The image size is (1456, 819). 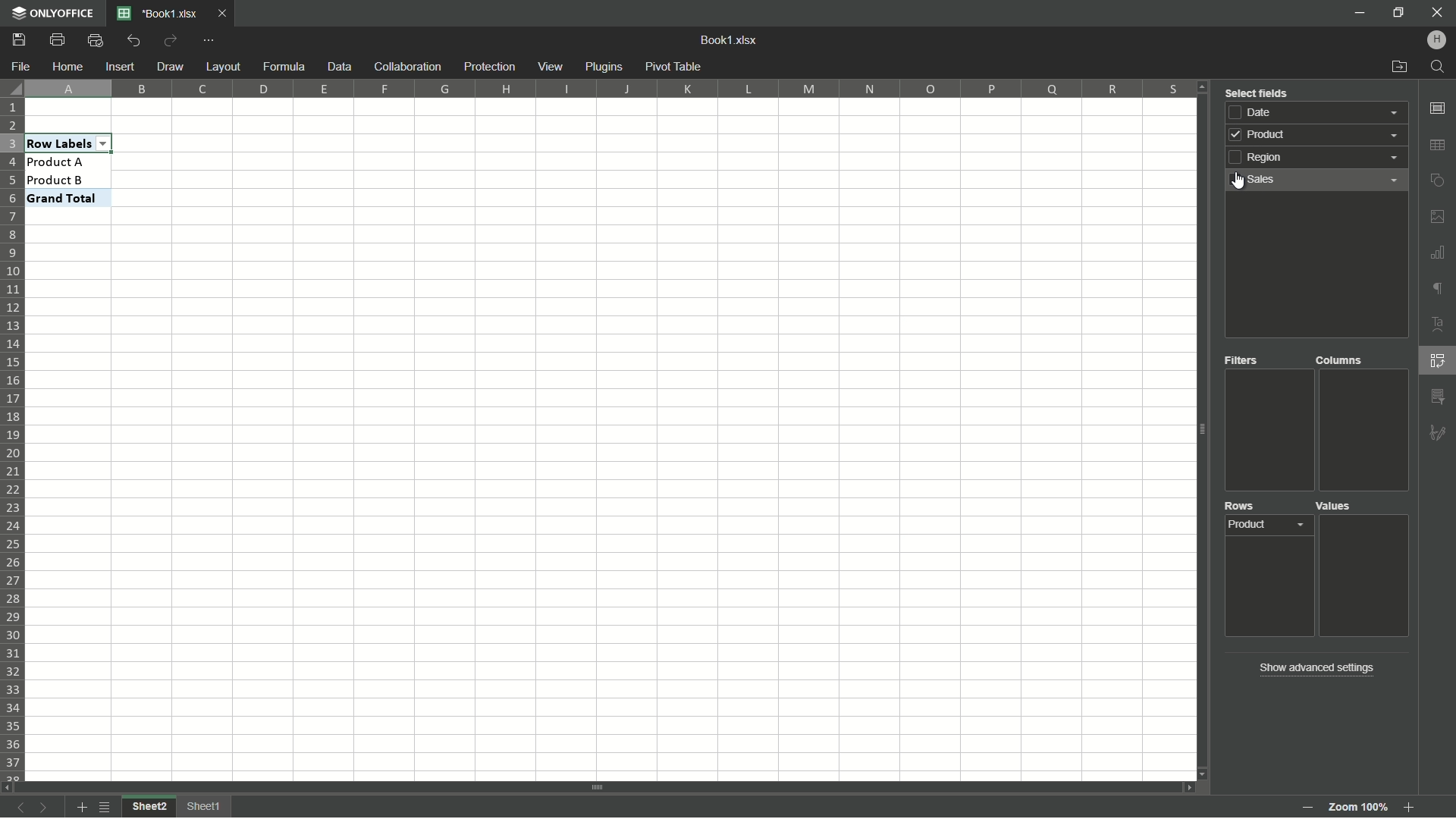 I want to click on scroll bar, so click(x=1200, y=431).